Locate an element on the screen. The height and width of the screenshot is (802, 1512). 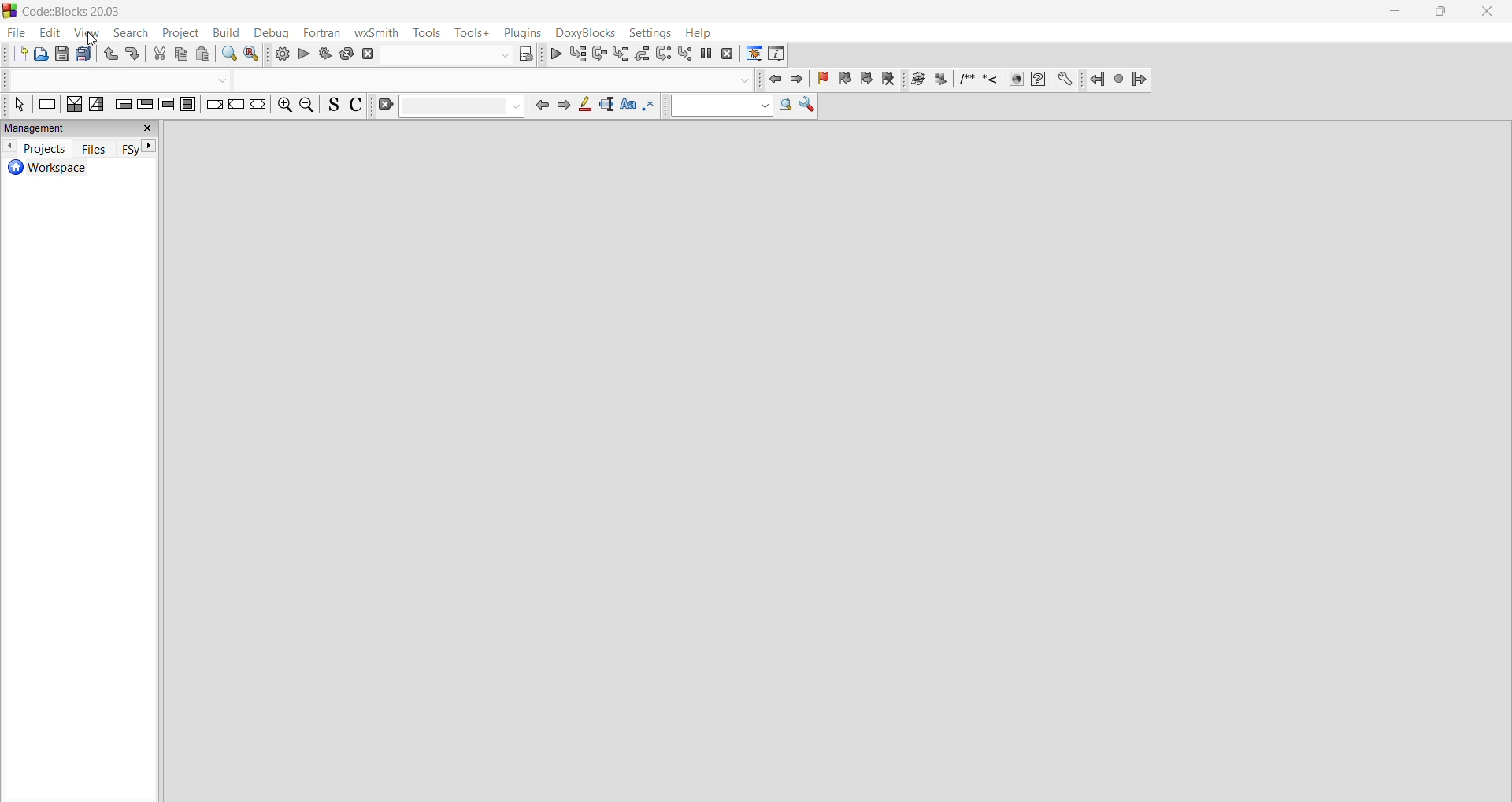
build is located at coordinates (228, 33).